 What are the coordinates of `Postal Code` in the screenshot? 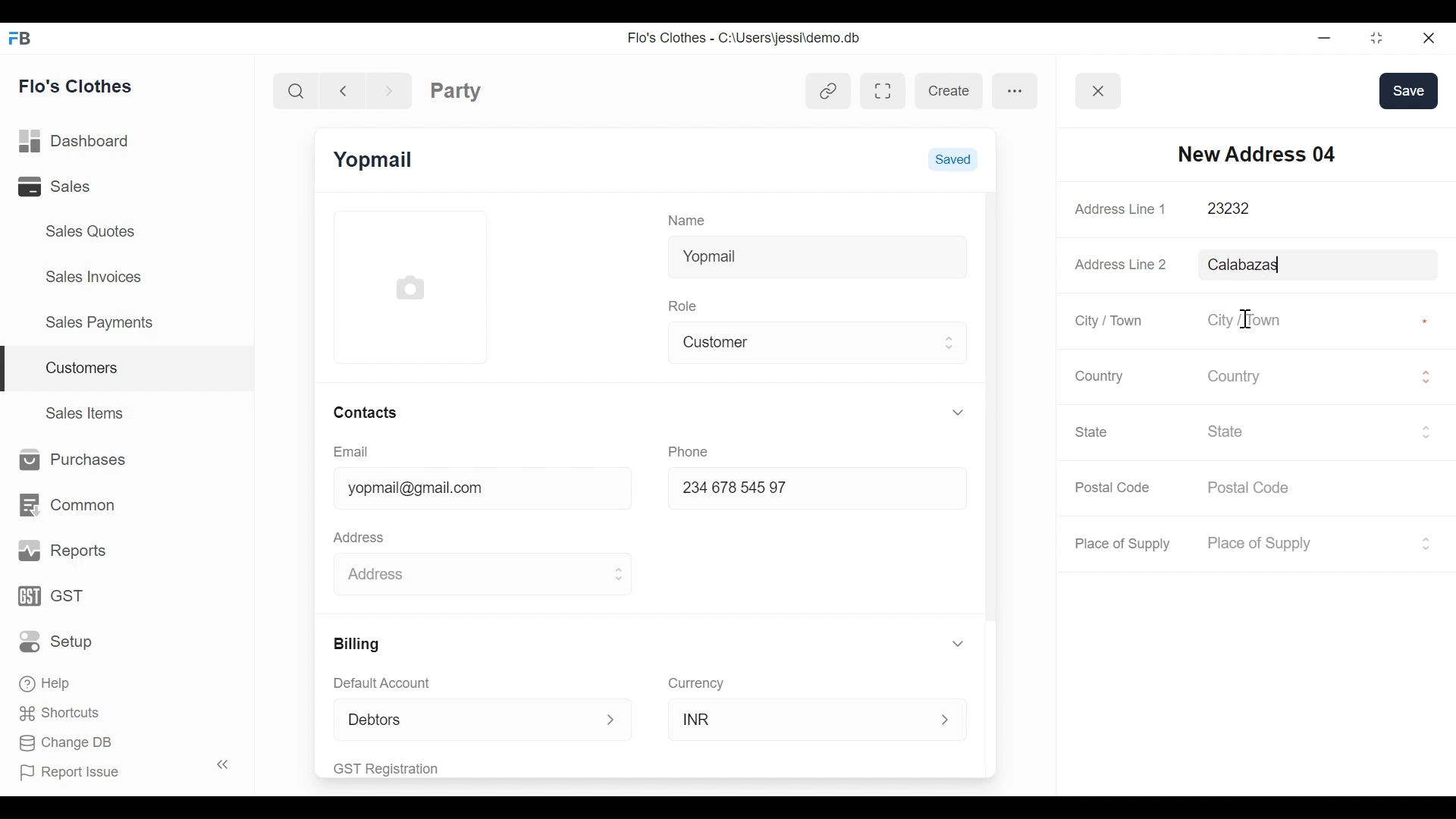 It's located at (1115, 488).